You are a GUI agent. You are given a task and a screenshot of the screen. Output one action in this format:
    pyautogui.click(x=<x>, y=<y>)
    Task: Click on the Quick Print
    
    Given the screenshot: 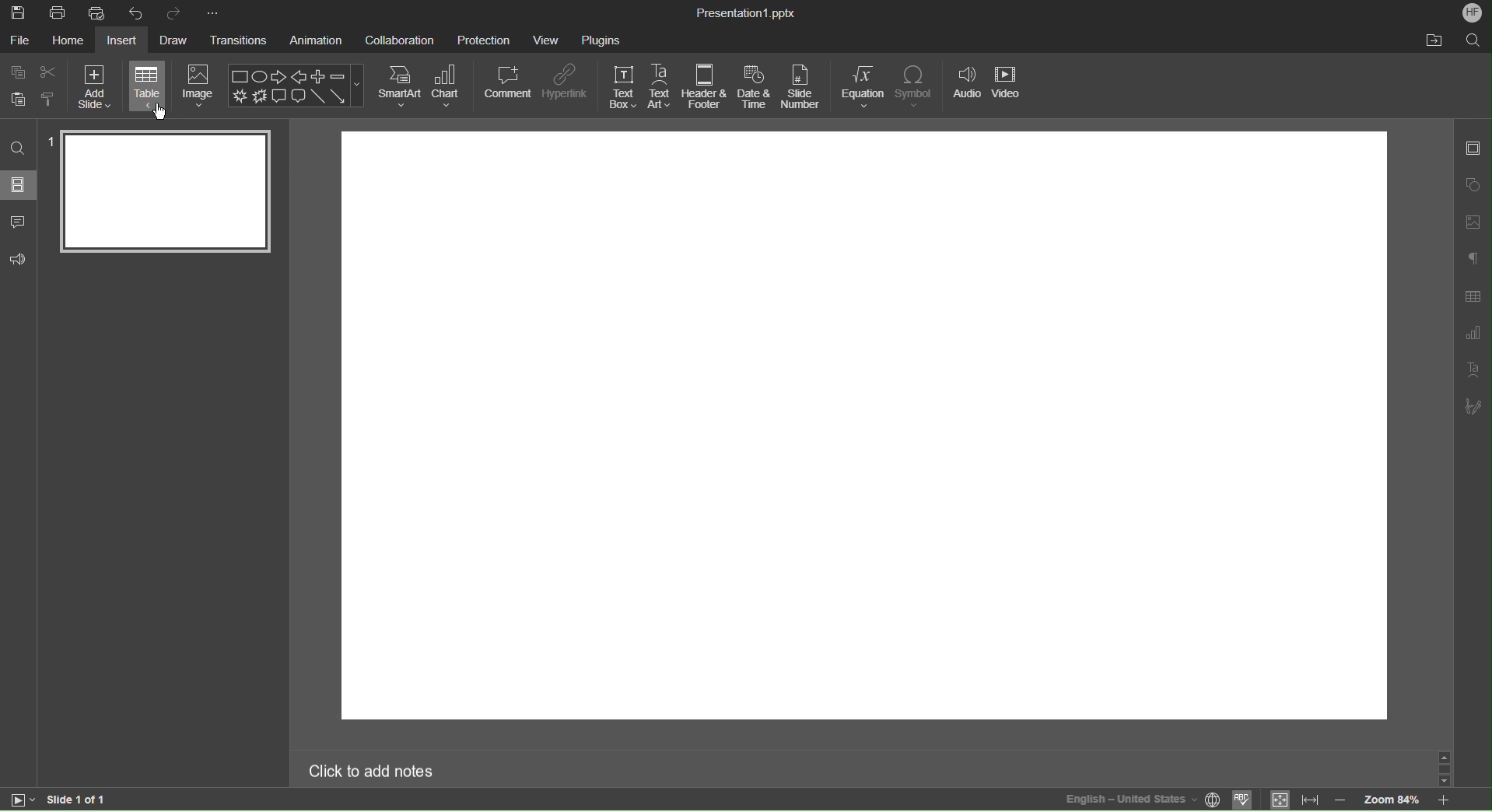 What is the action you would take?
    pyautogui.click(x=100, y=12)
    